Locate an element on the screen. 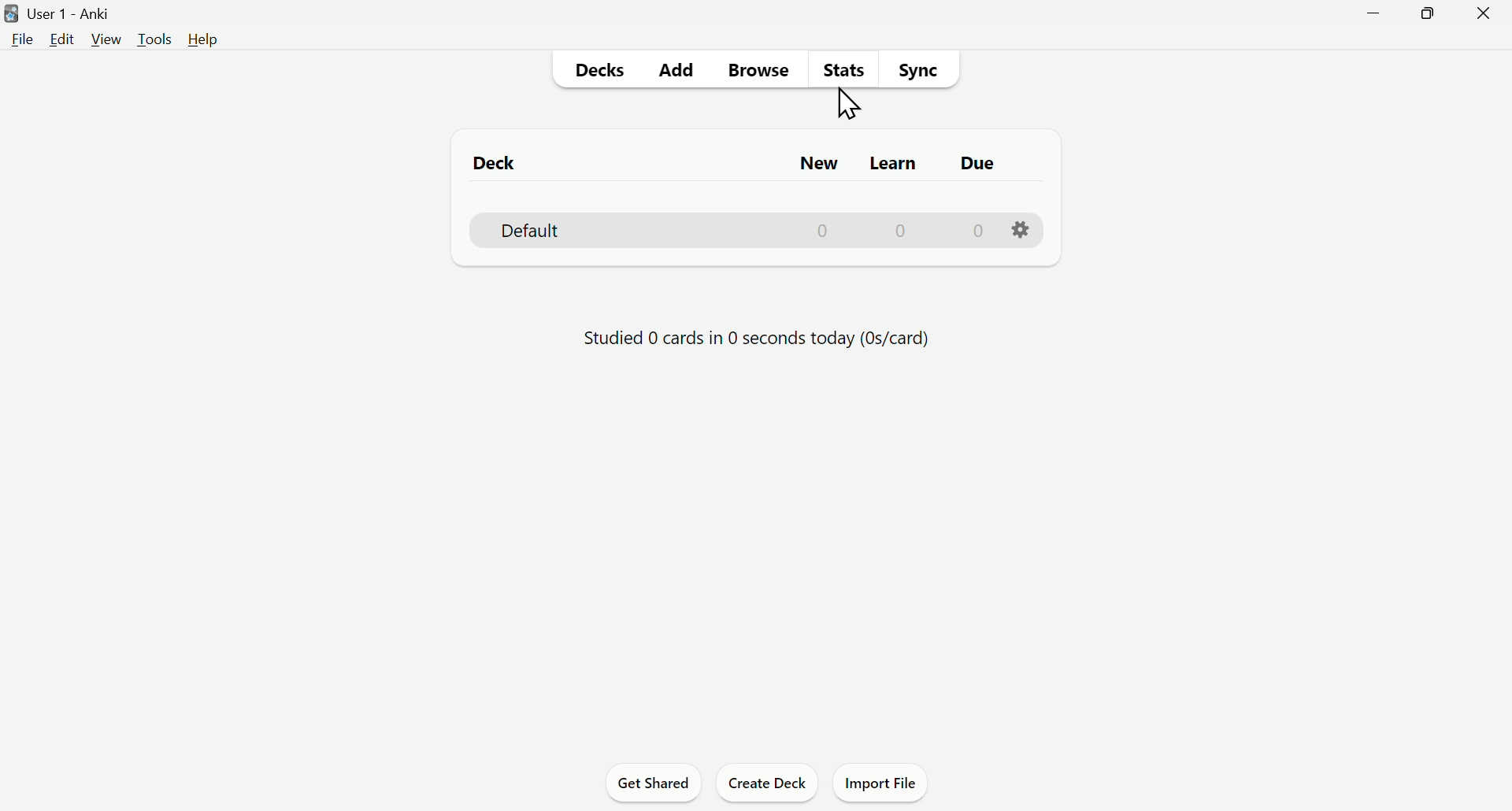 This screenshot has height=811, width=1512. User 1 - Anki is located at coordinates (83, 14).